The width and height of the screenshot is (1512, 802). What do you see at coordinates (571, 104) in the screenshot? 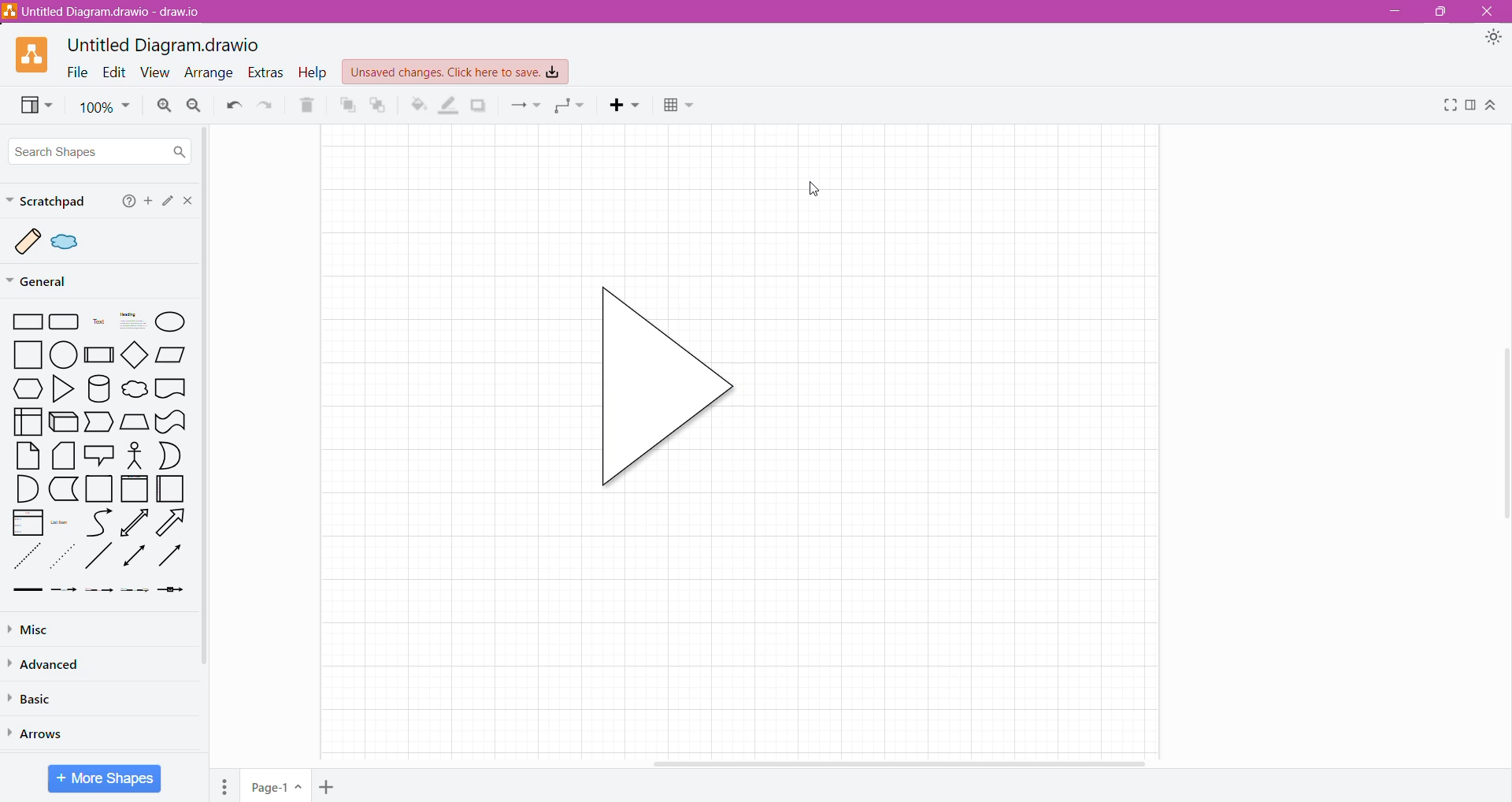
I see `Waypoints` at bounding box center [571, 104].